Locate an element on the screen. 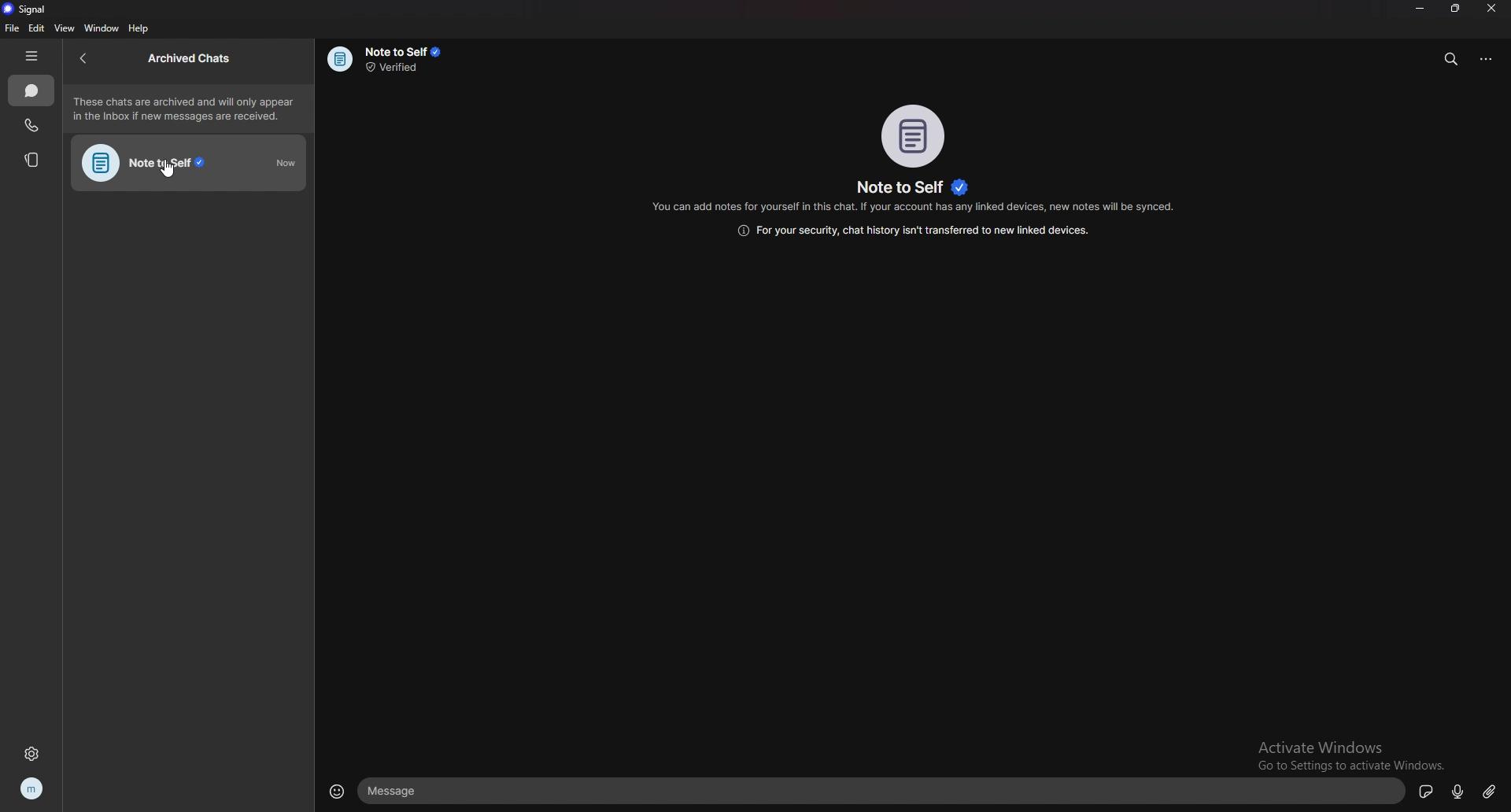  edit is located at coordinates (37, 29).